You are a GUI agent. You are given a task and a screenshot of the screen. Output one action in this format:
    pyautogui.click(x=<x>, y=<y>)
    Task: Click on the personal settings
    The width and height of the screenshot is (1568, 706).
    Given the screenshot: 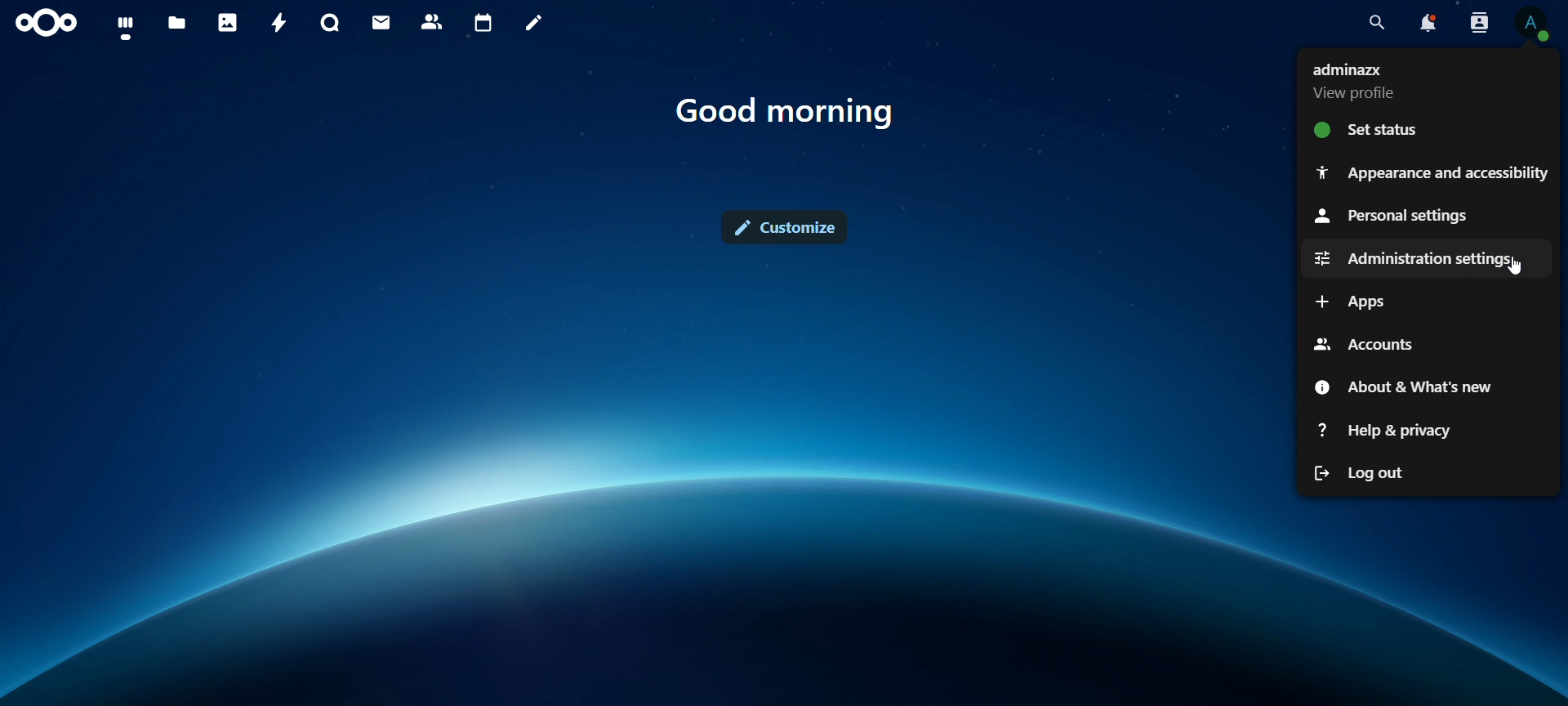 What is the action you would take?
    pyautogui.click(x=1406, y=214)
    